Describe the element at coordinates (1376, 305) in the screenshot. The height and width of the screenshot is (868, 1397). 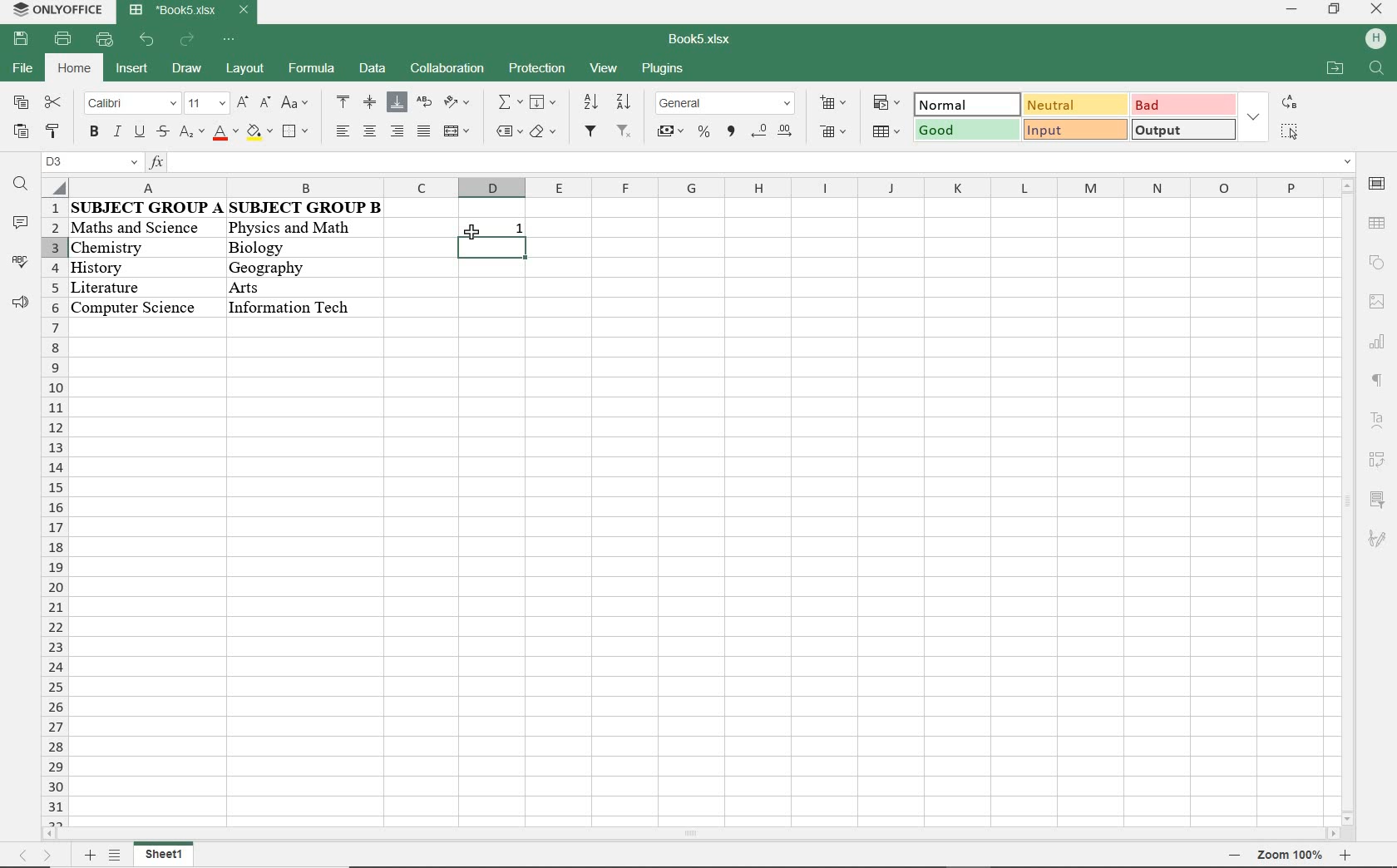
I see `sign` at that location.